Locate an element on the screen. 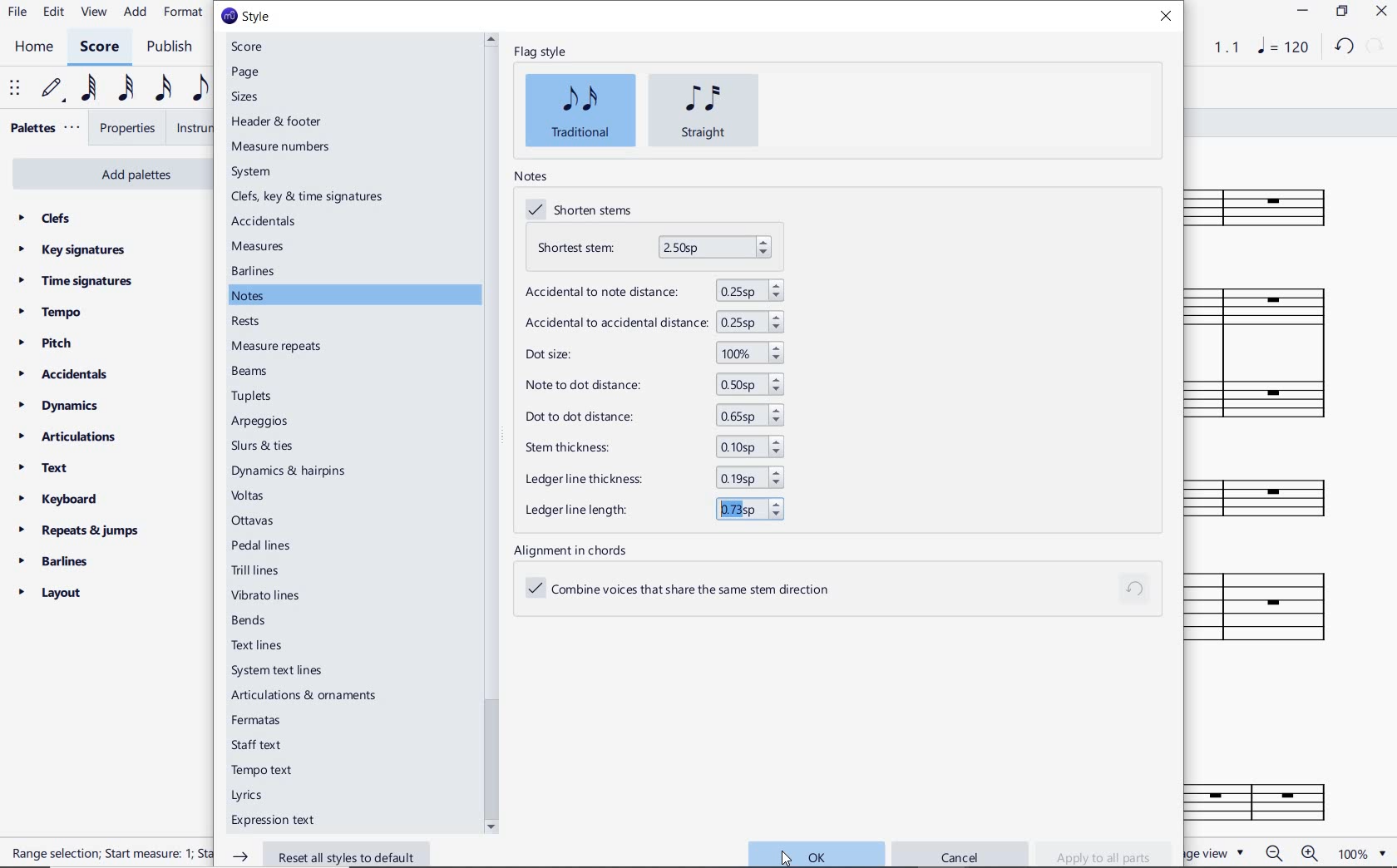 The height and width of the screenshot is (868, 1397). alignment in chords is located at coordinates (575, 550).